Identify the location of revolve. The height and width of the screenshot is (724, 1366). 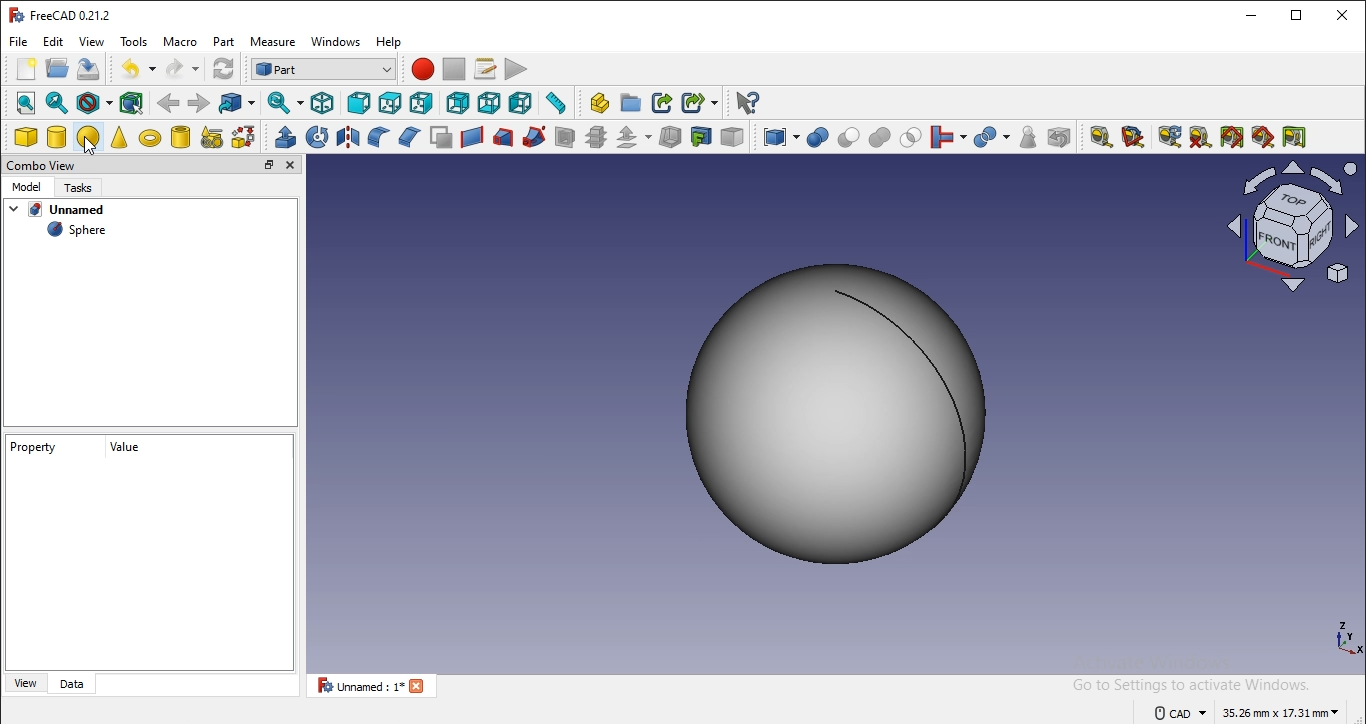
(316, 137).